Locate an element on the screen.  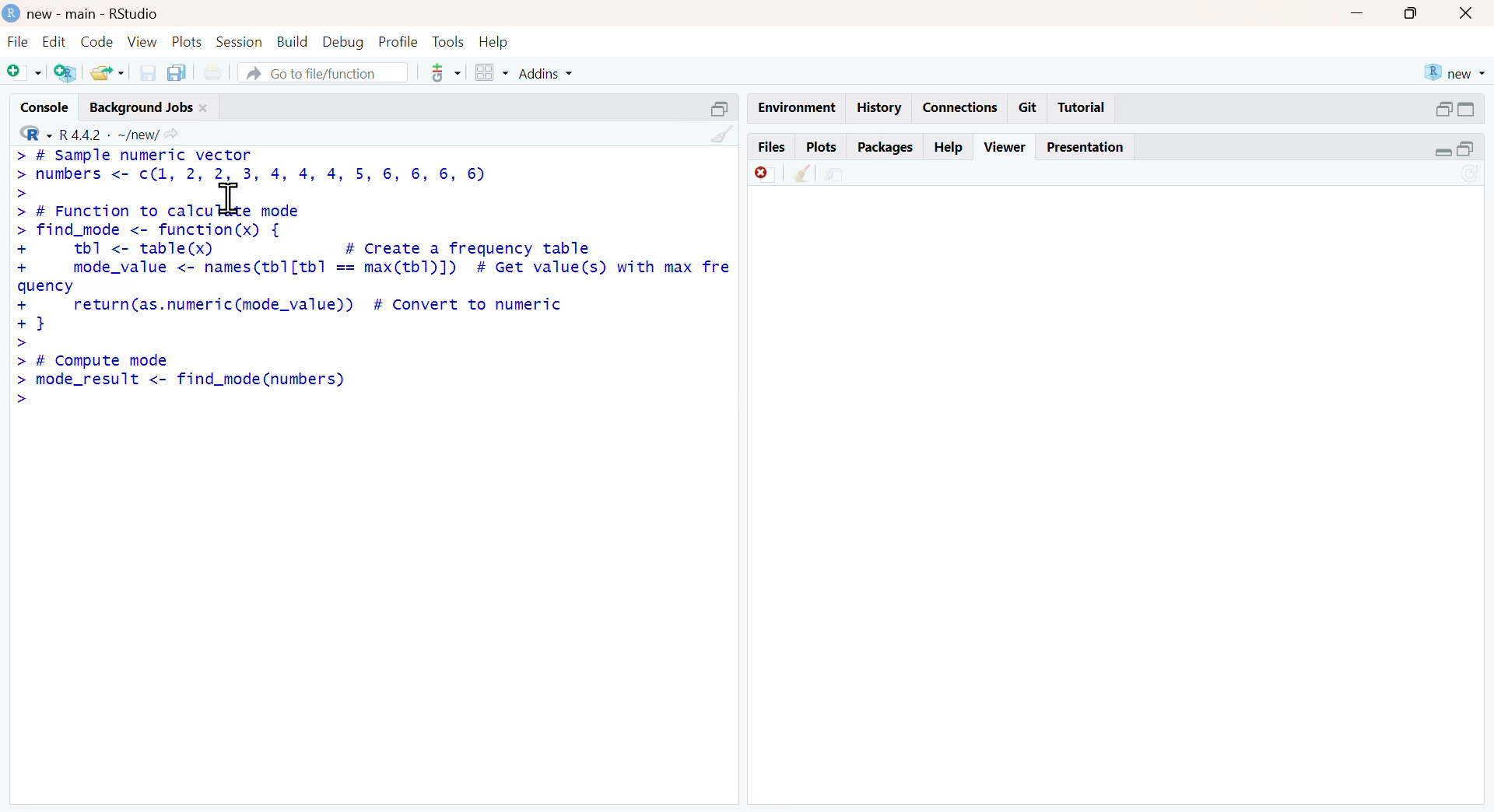
session is located at coordinates (240, 42).